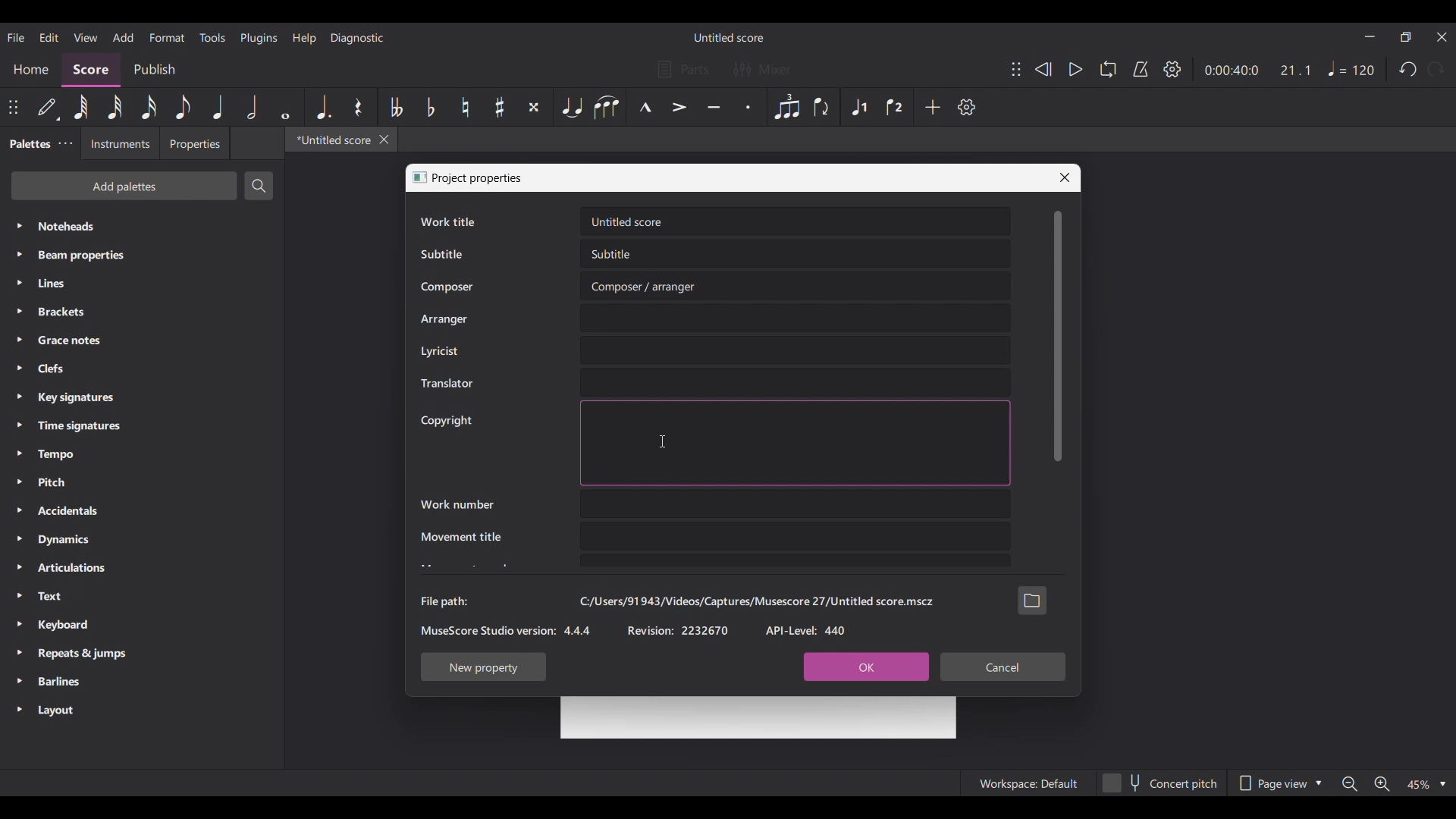 The height and width of the screenshot is (819, 1456). Describe the element at coordinates (1352, 68) in the screenshot. I see `Tempo` at that location.